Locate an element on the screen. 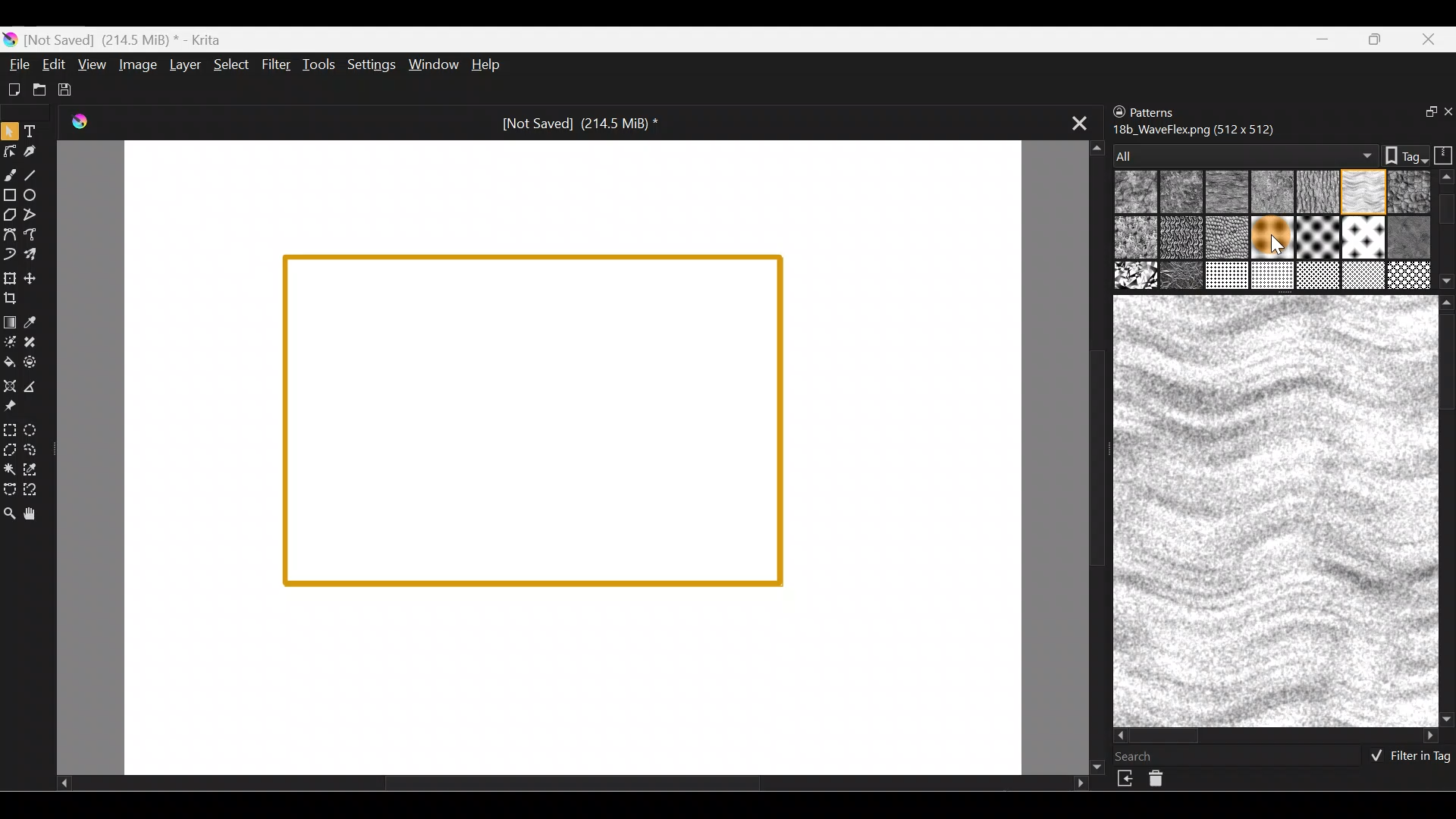 This screenshot has width=1456, height=819. Tags is located at coordinates (1398, 154).